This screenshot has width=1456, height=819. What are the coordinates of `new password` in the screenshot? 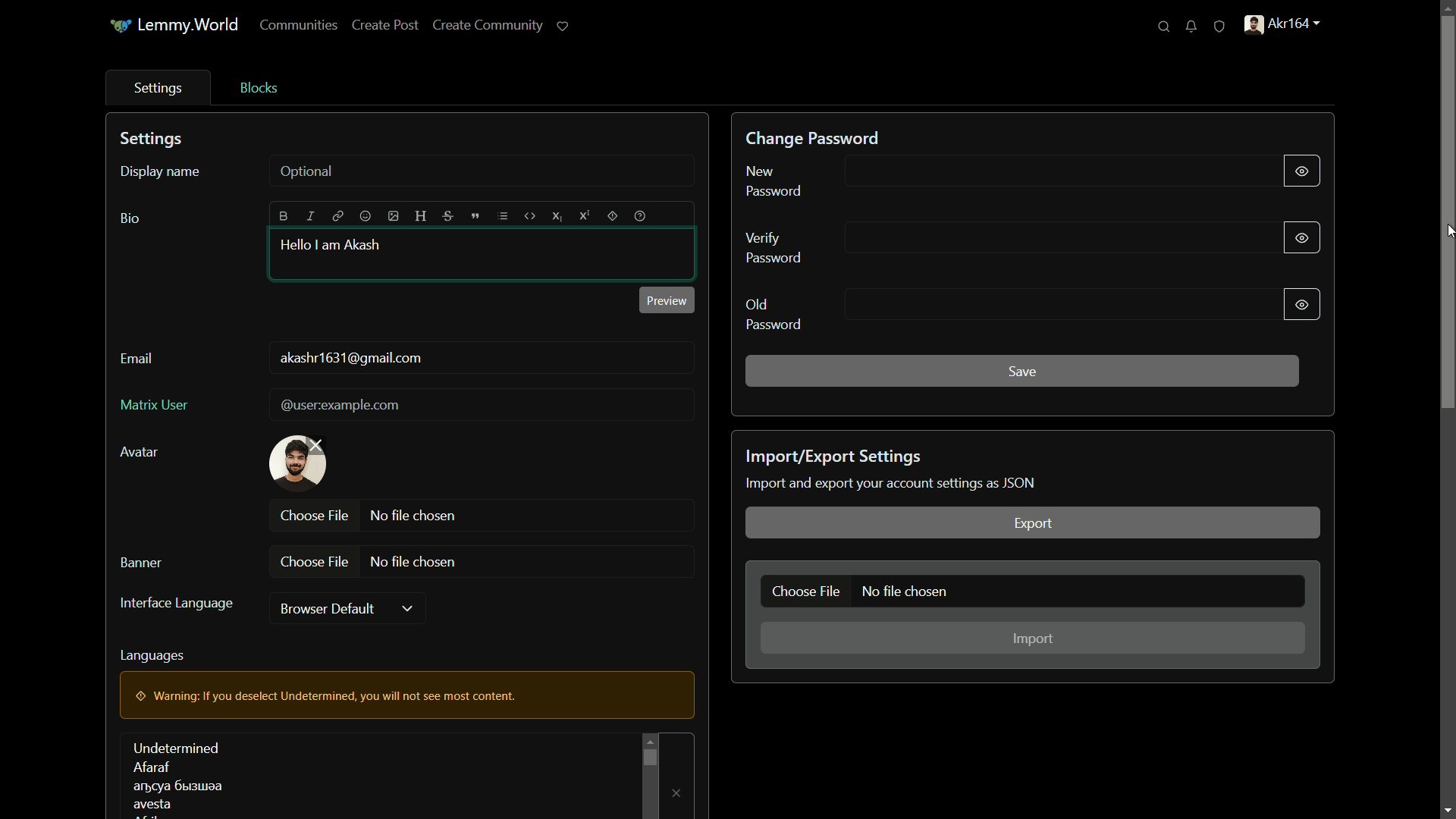 It's located at (775, 181).